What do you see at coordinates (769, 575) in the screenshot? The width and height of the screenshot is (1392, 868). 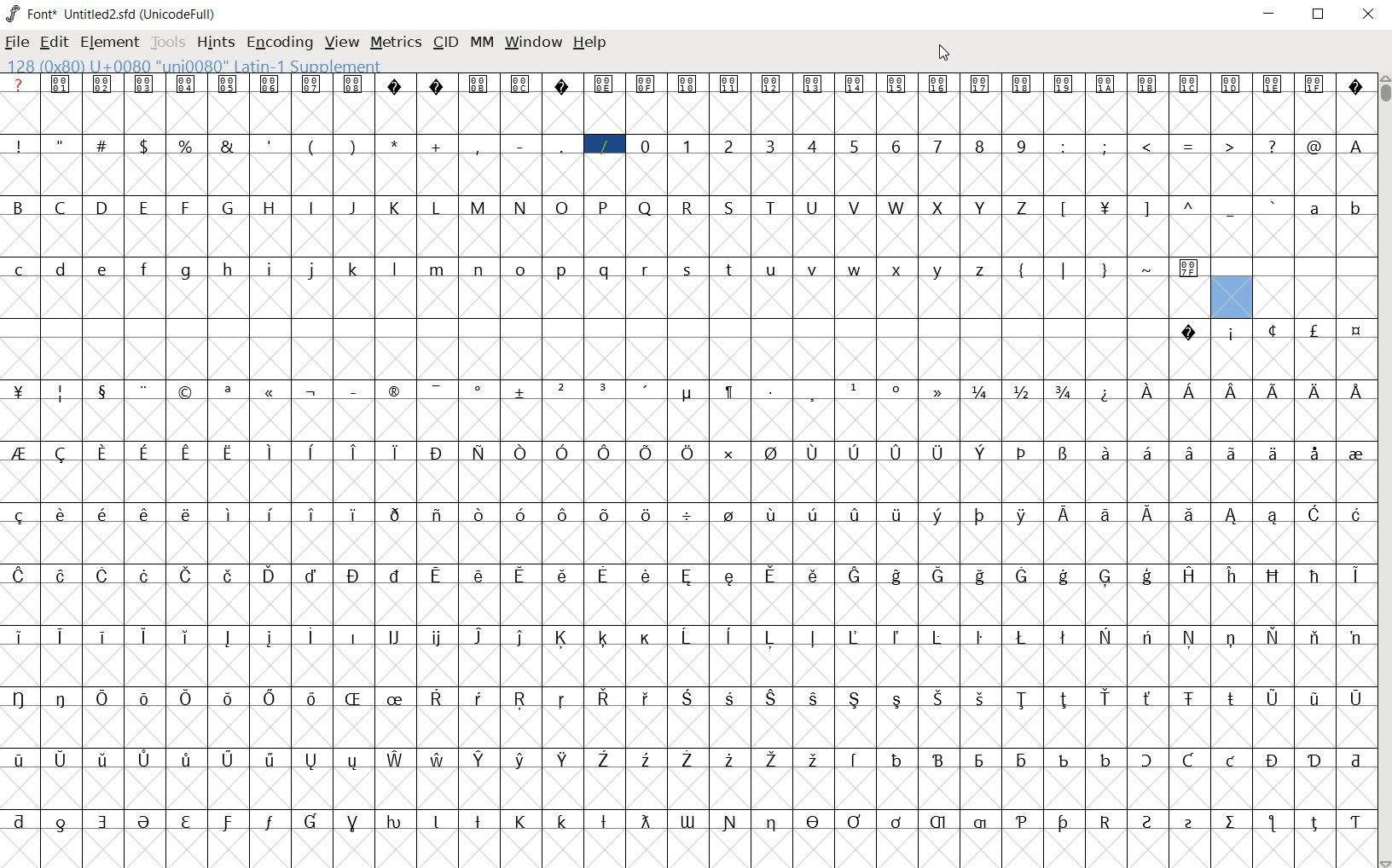 I see `glyph` at bounding box center [769, 575].